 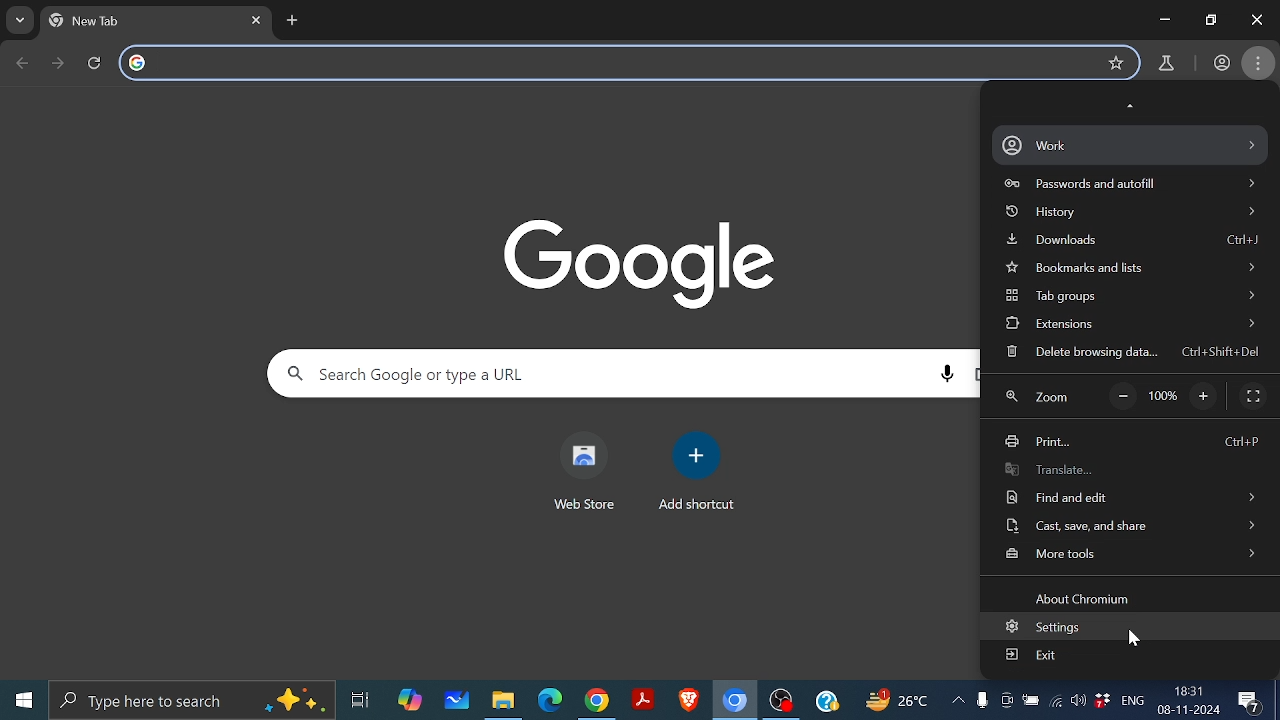 What do you see at coordinates (1134, 298) in the screenshot?
I see `tab group` at bounding box center [1134, 298].